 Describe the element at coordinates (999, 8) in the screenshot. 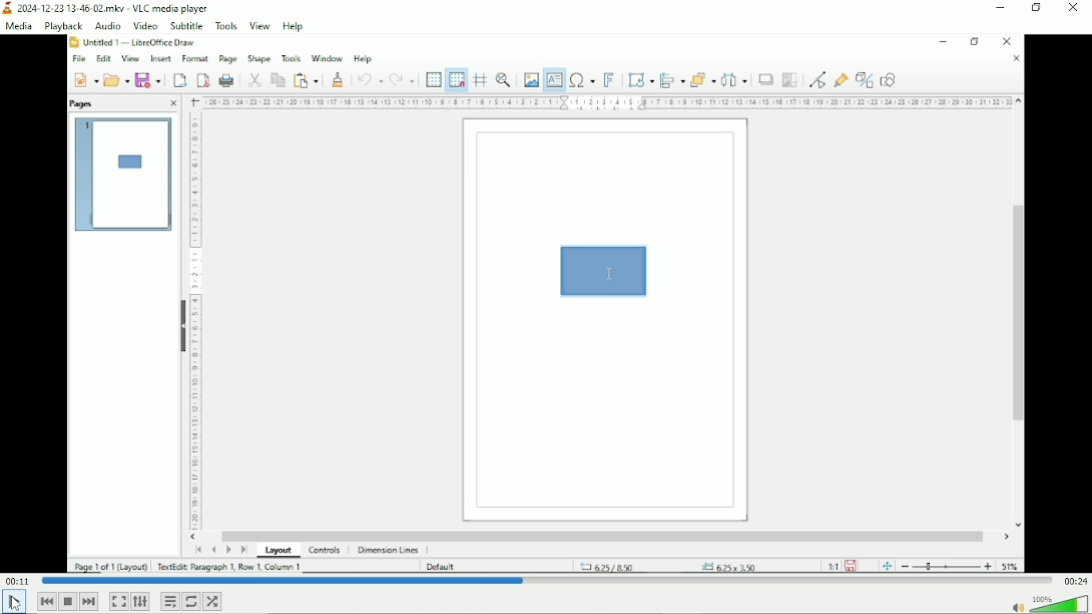

I see `Minimize` at that location.